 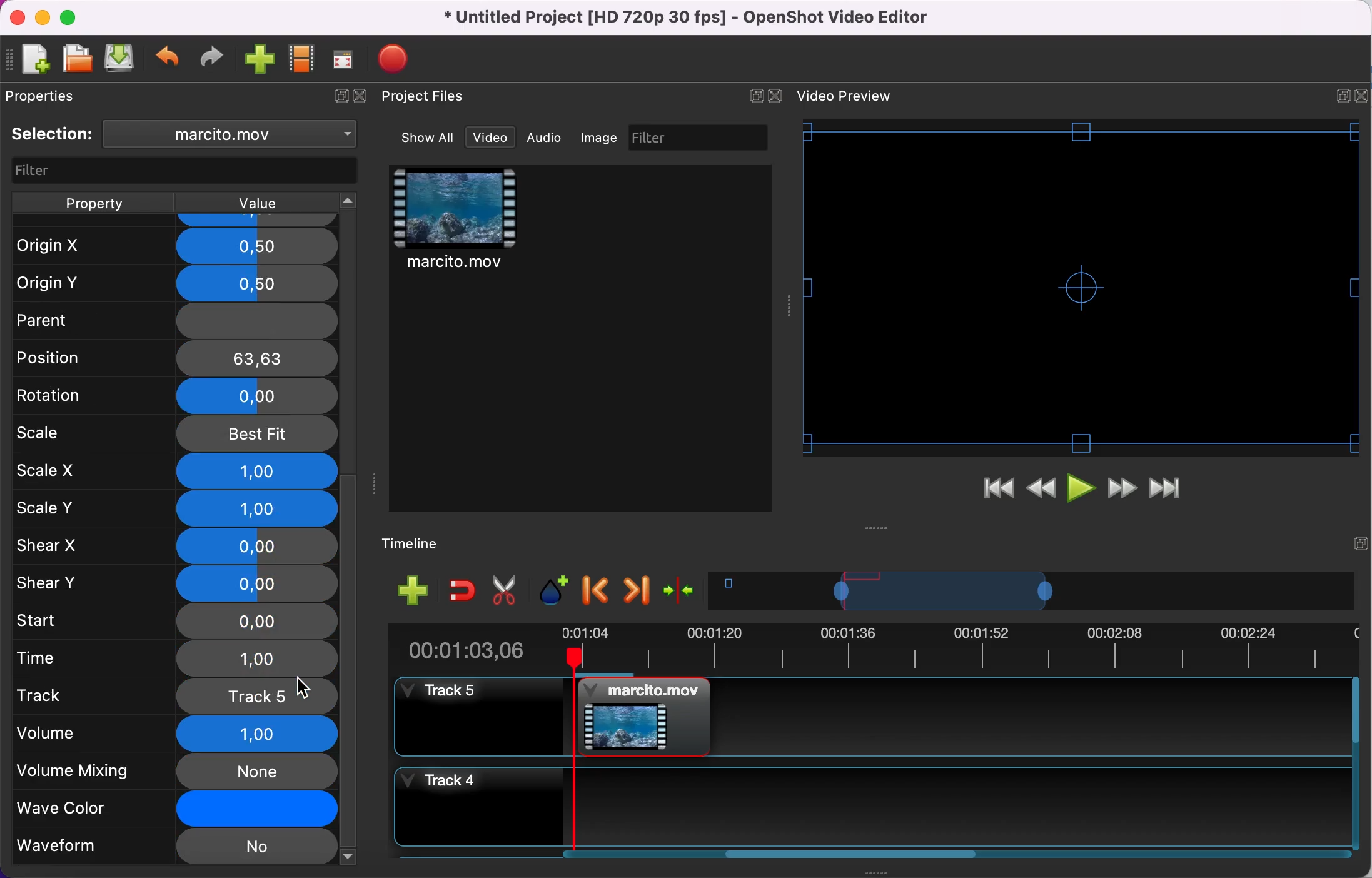 What do you see at coordinates (176, 695) in the screenshot?
I see `track 5` at bounding box center [176, 695].